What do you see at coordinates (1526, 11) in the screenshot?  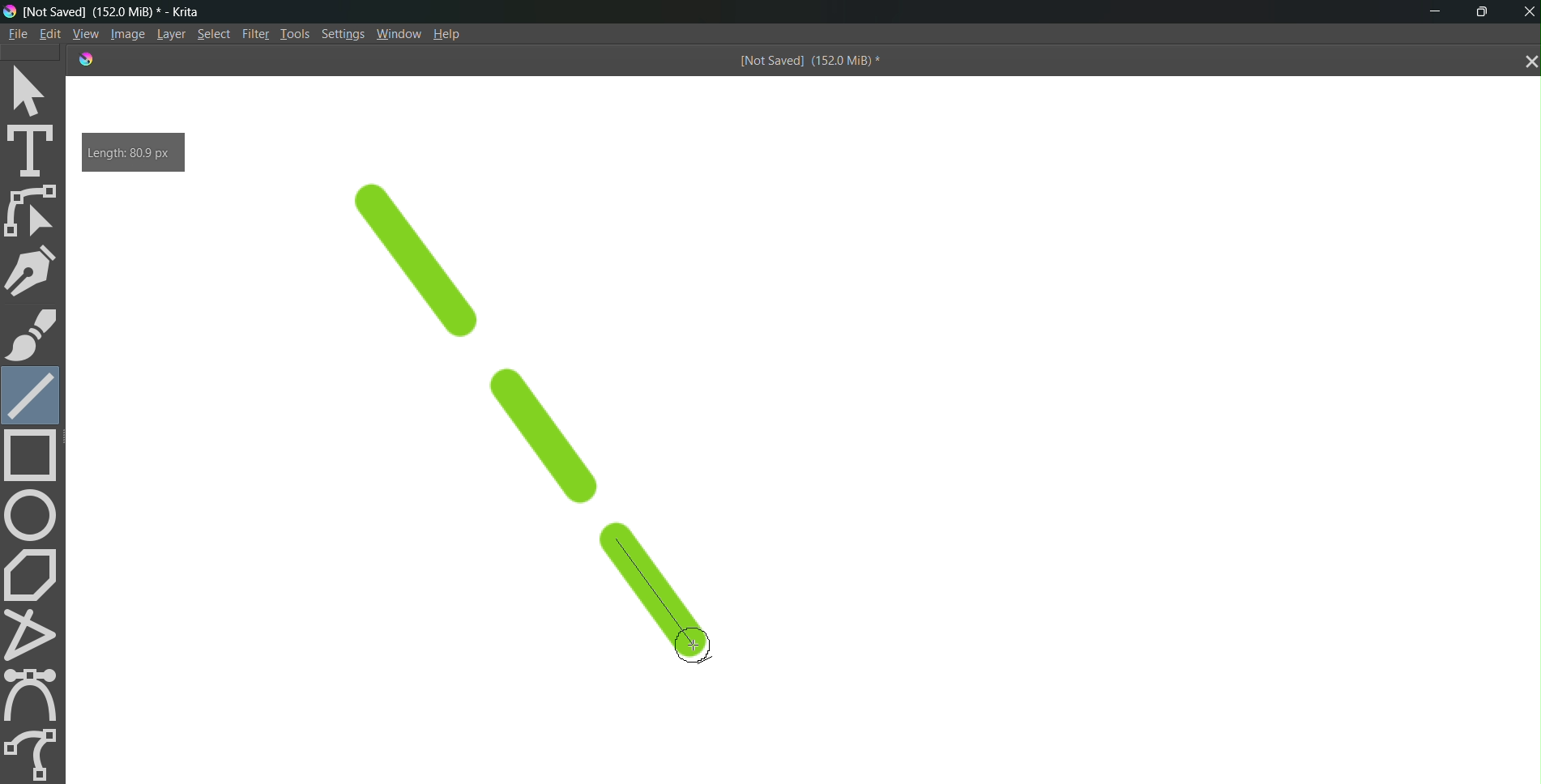 I see `Close` at bounding box center [1526, 11].